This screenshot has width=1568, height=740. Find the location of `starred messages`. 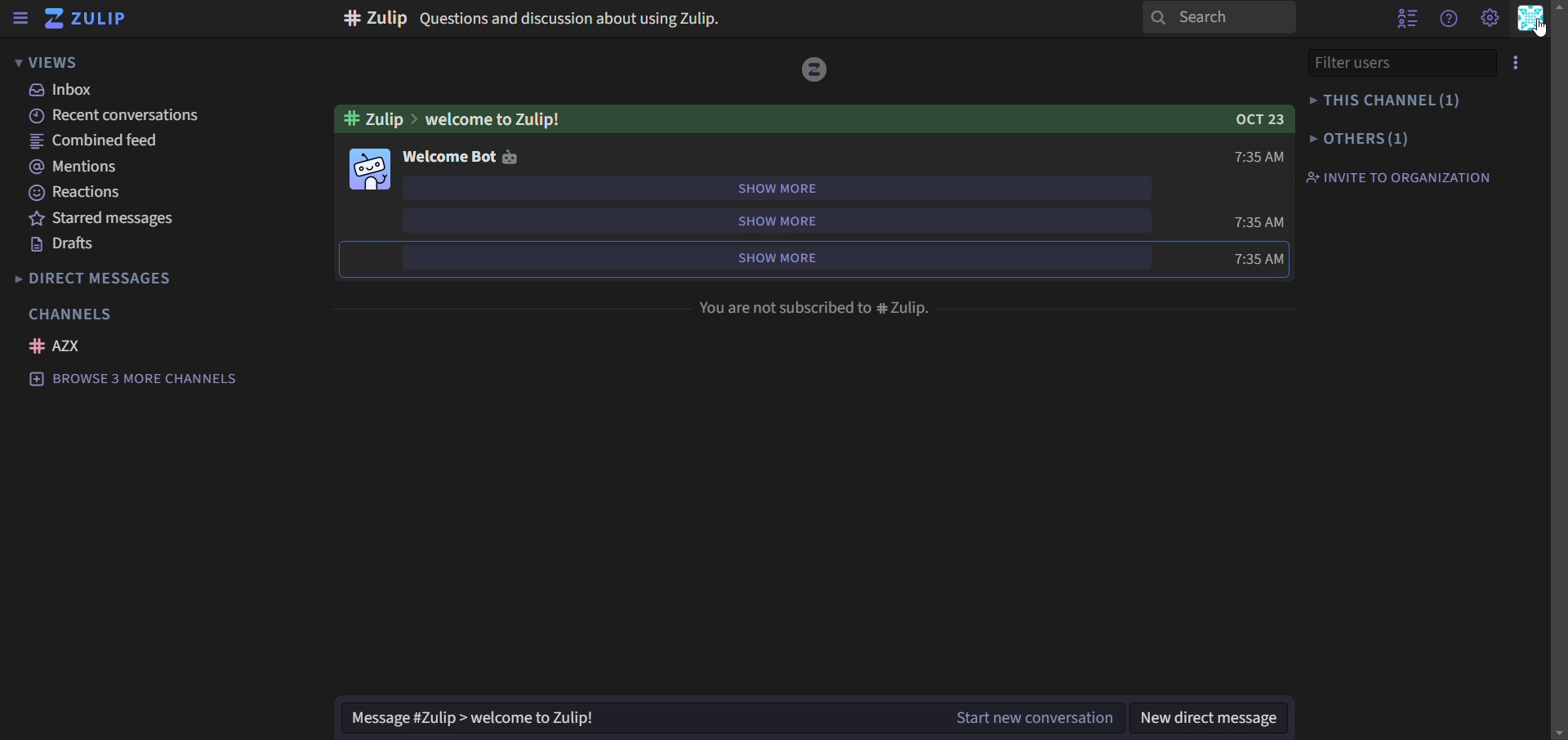

starred messages is located at coordinates (141, 221).